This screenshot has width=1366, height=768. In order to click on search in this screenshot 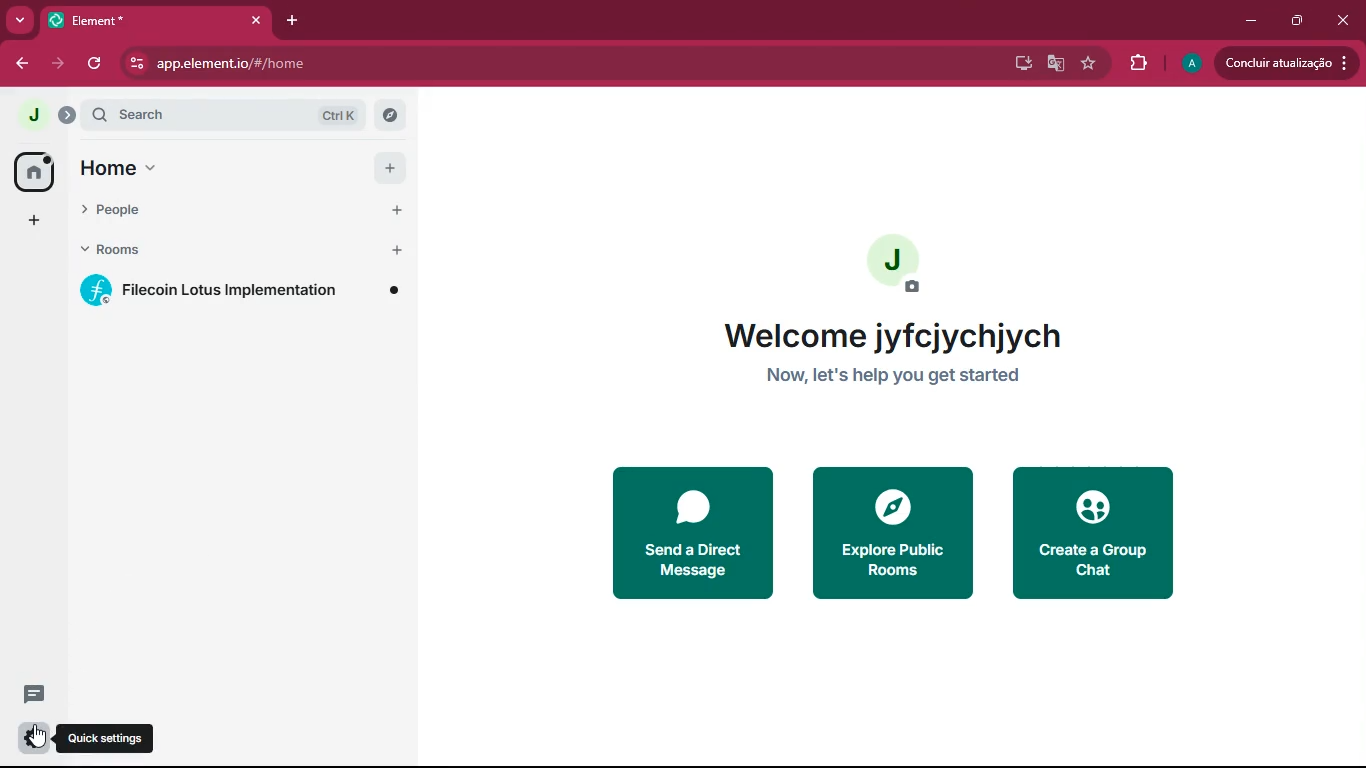, I will do `click(239, 116)`.